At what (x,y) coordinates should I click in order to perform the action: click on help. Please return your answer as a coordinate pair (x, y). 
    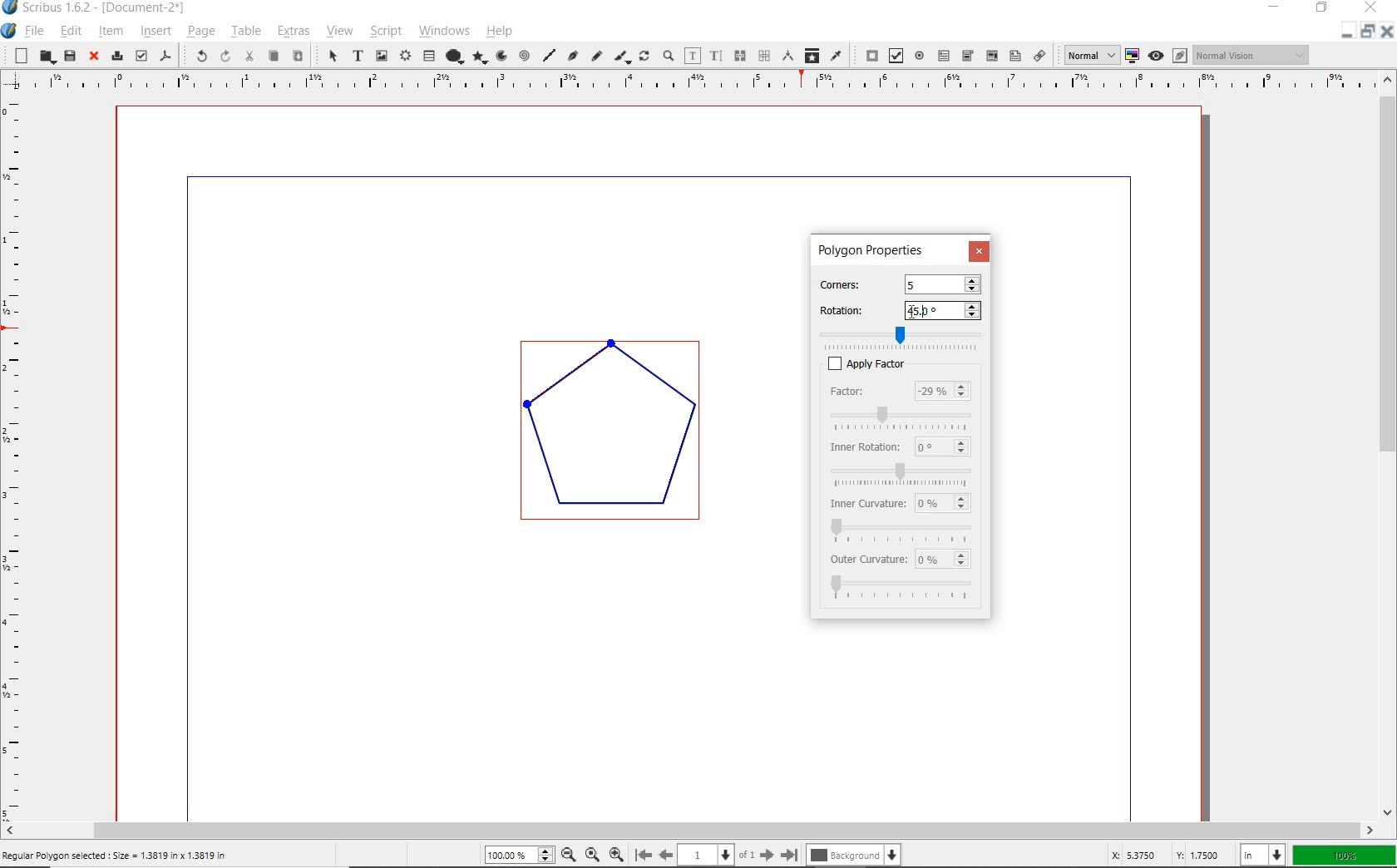
    Looking at the image, I should click on (502, 33).